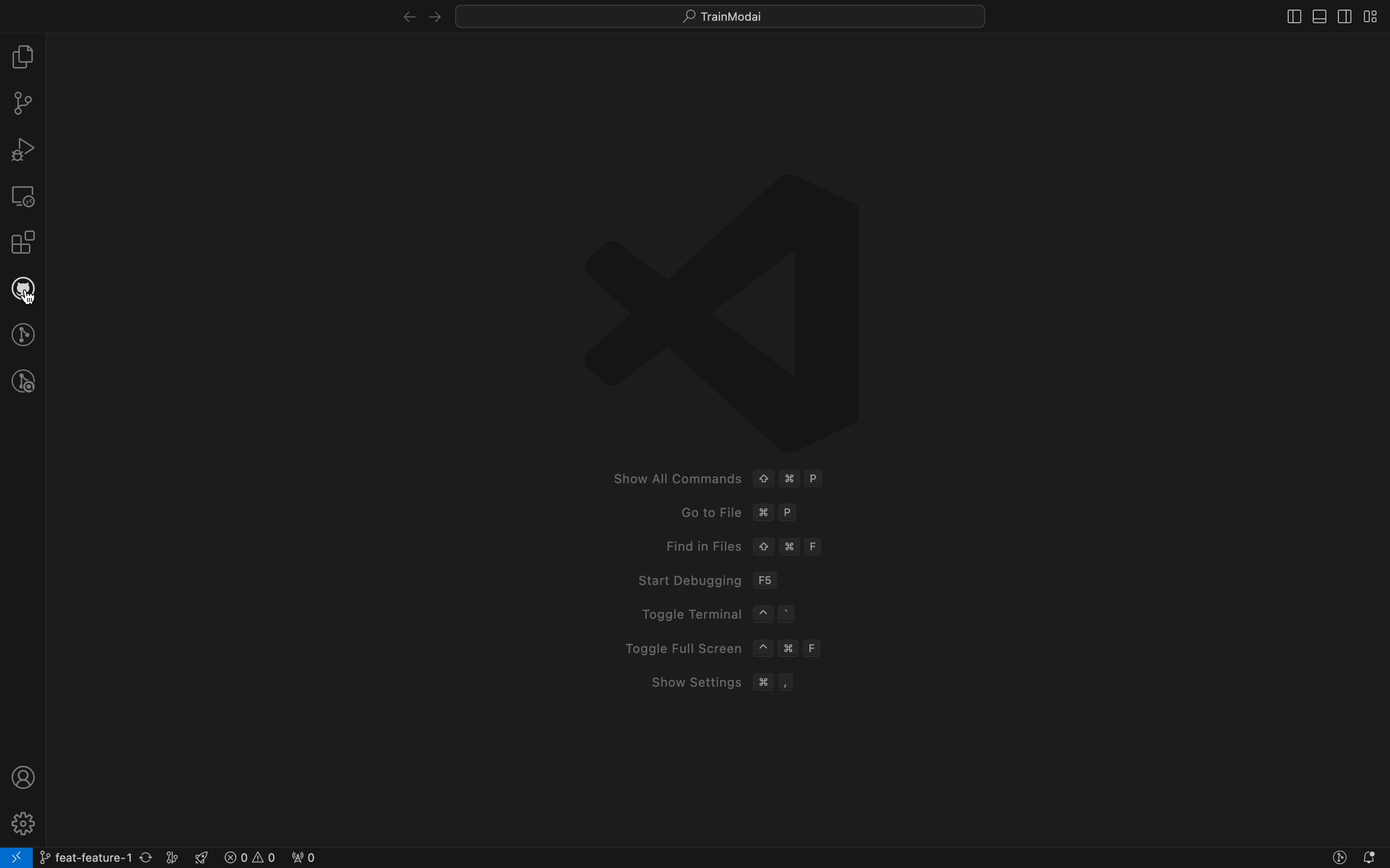 This screenshot has height=868, width=1390. Describe the element at coordinates (22, 291) in the screenshot. I see `github pull request and issues` at that location.